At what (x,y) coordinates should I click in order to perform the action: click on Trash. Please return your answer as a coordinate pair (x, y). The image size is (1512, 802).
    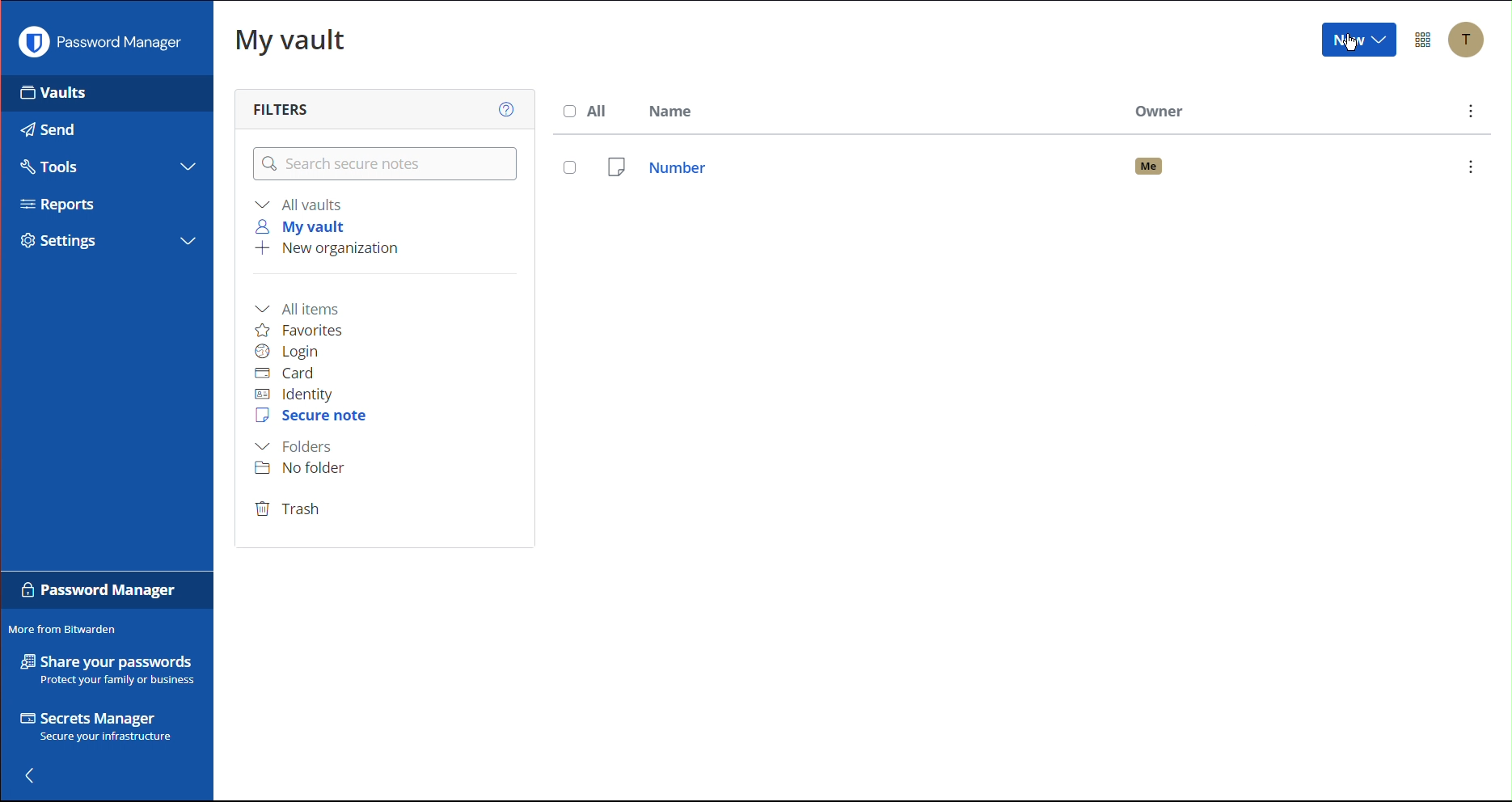
    Looking at the image, I should click on (289, 510).